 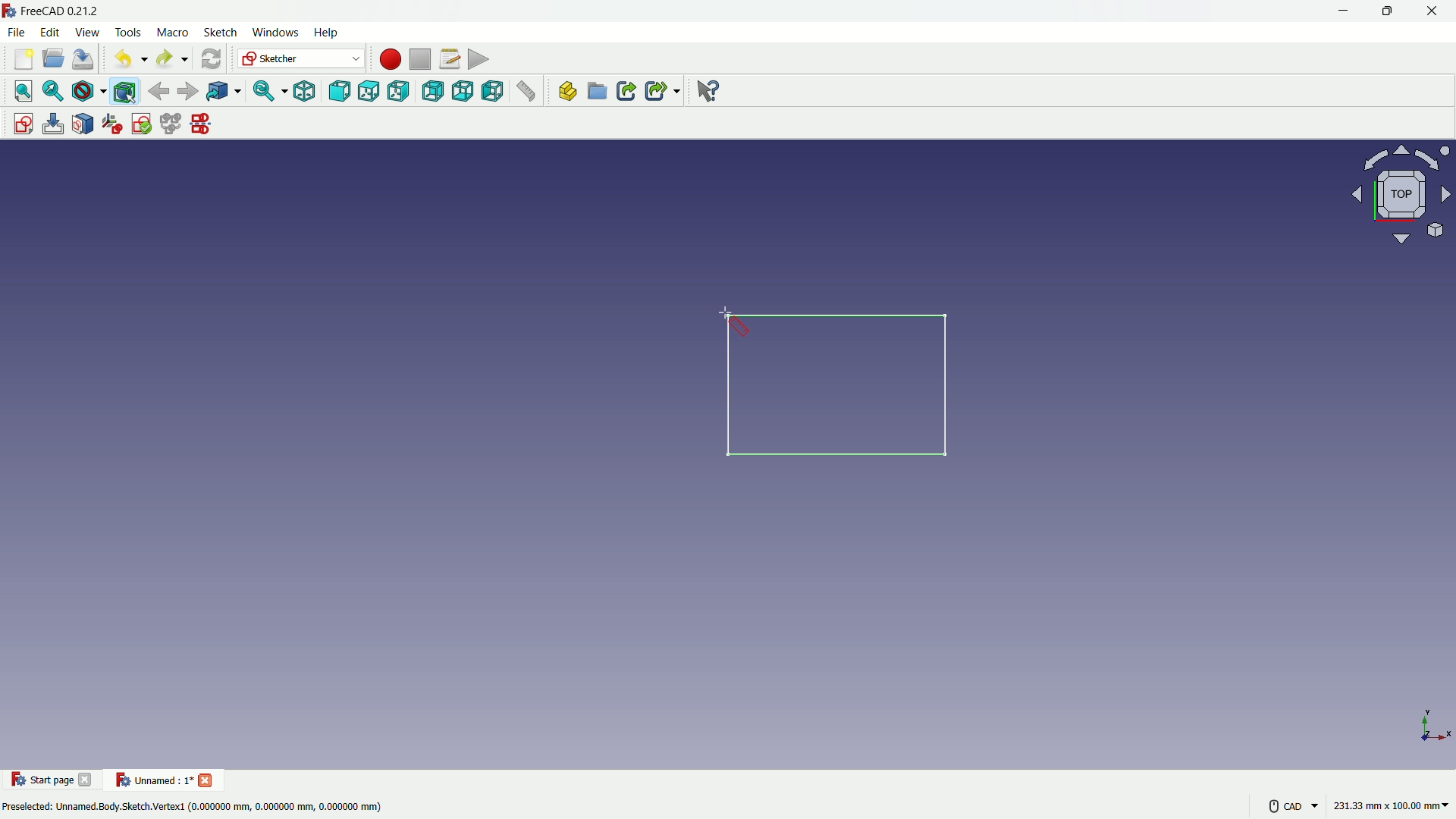 What do you see at coordinates (127, 91) in the screenshot?
I see `bounding box` at bounding box center [127, 91].